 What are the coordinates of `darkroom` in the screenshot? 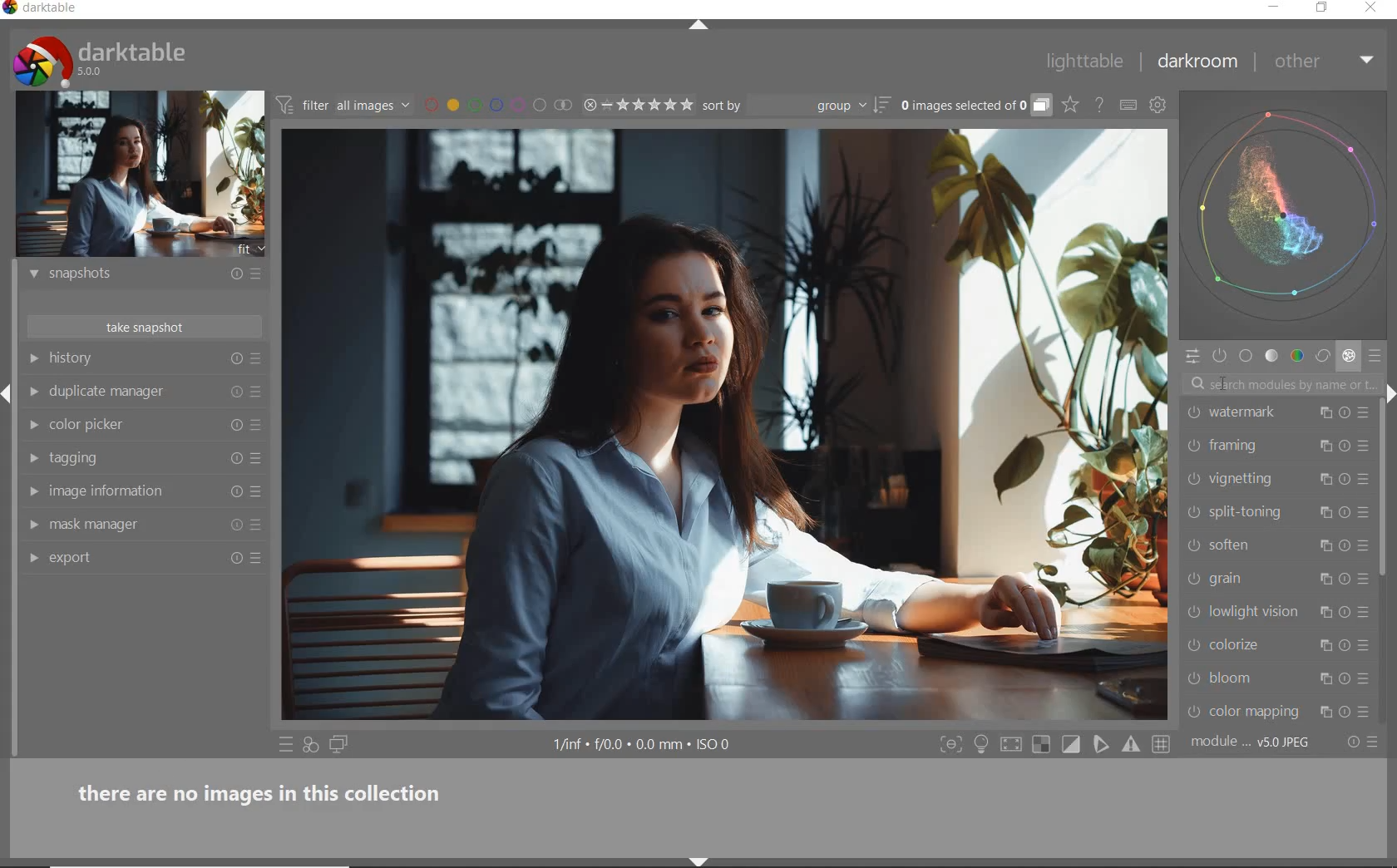 It's located at (1198, 65).